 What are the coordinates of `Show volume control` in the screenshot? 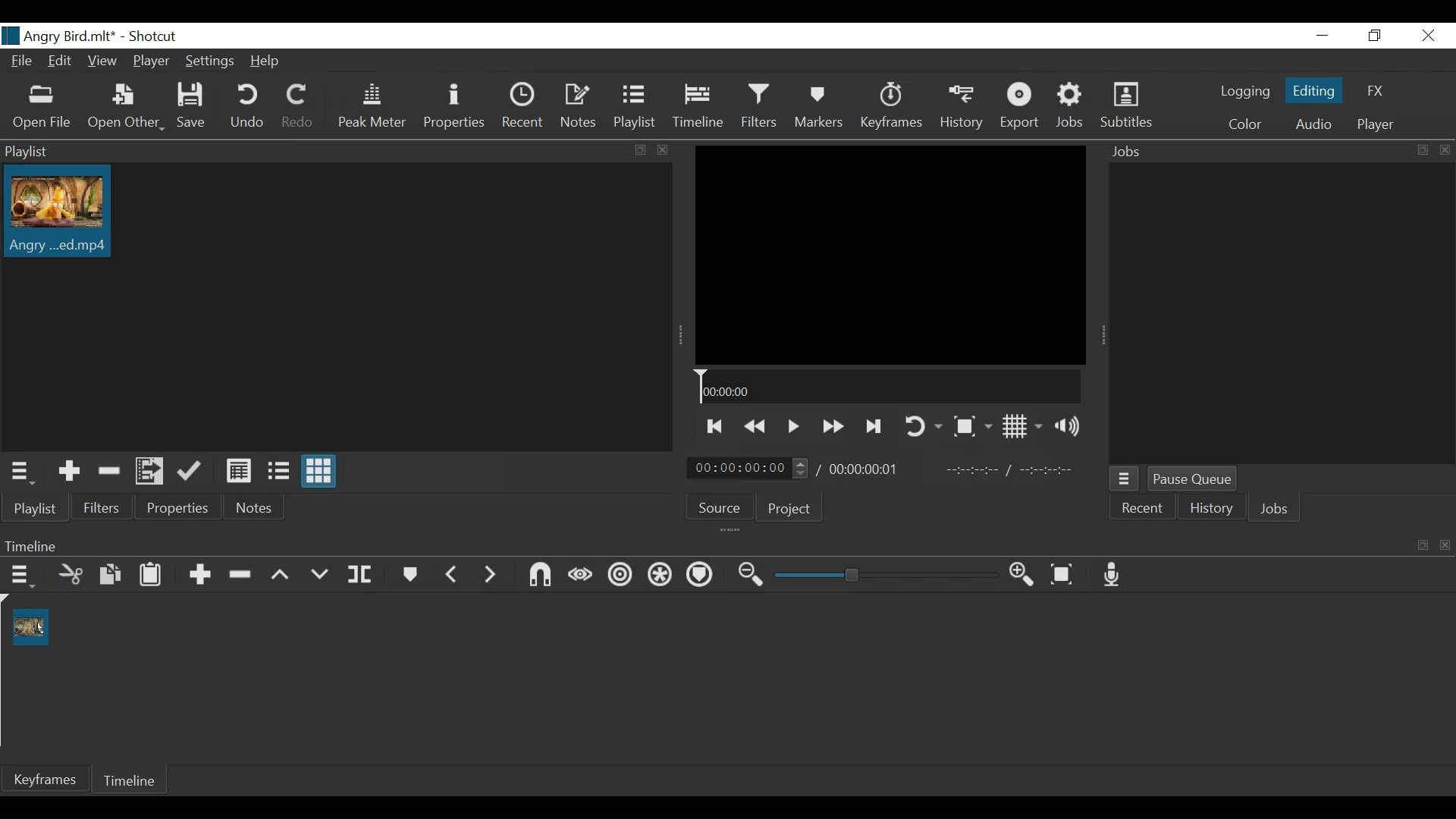 It's located at (1068, 425).